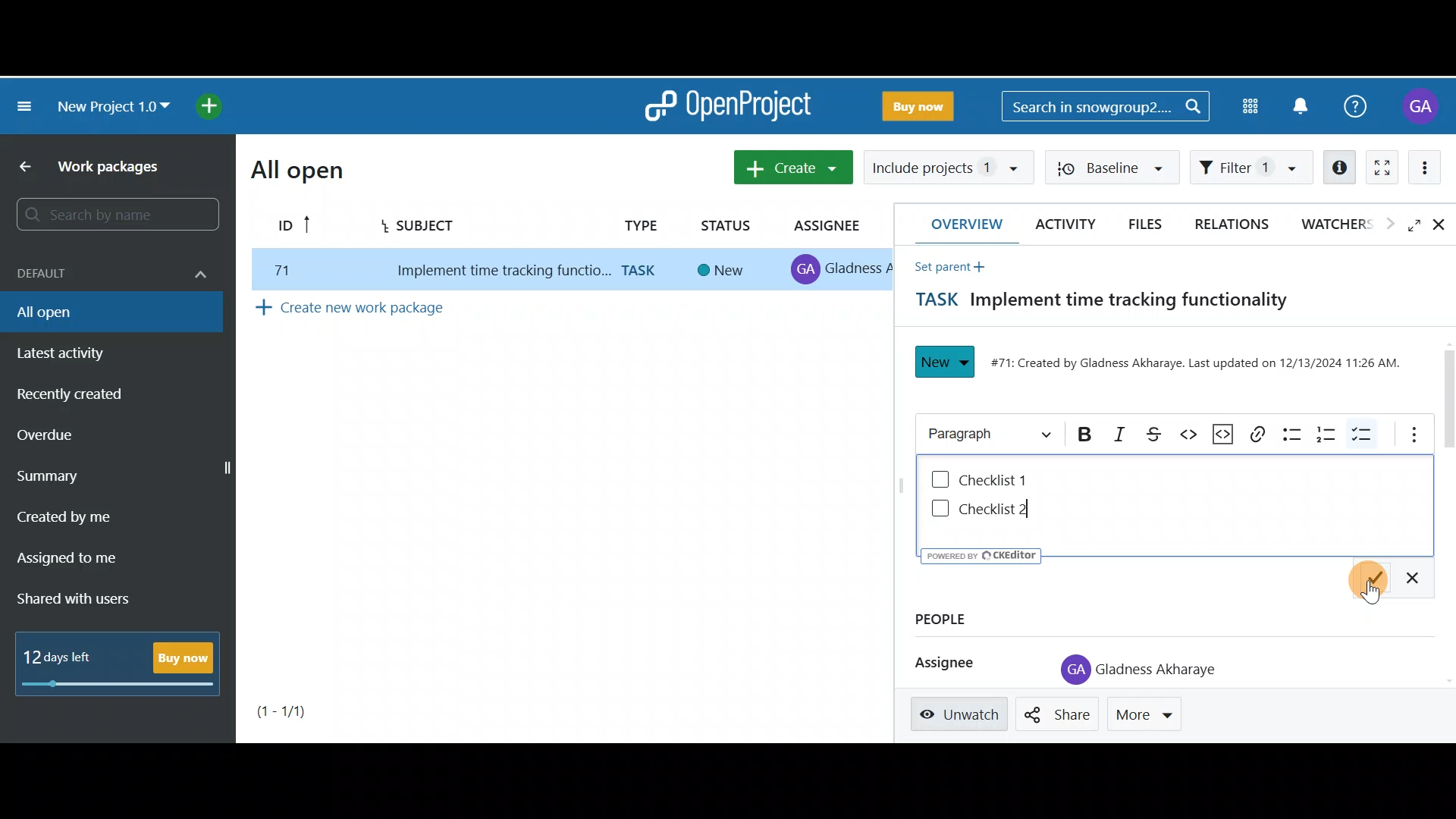  I want to click on All open, so click(94, 315).